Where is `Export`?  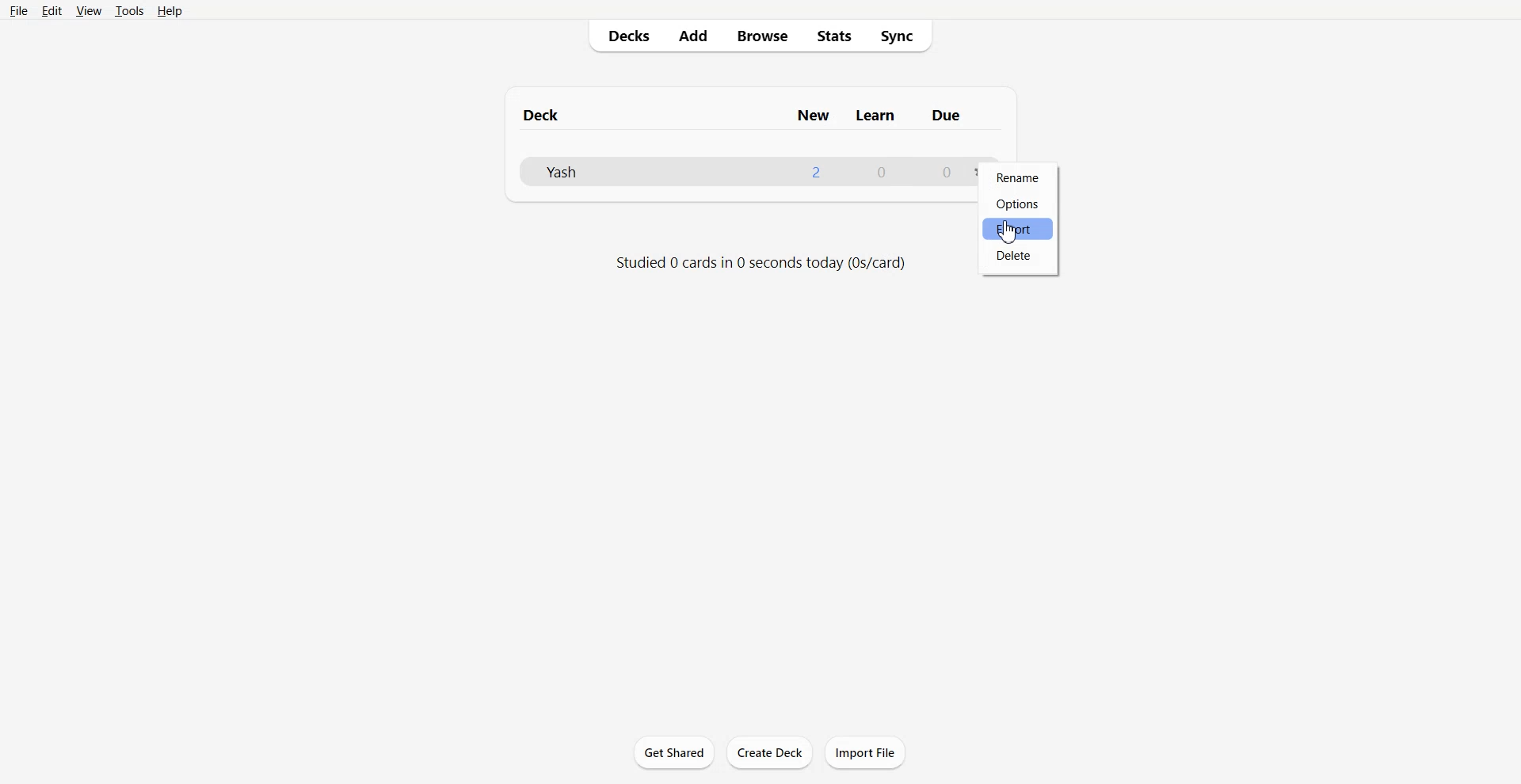
Export is located at coordinates (1018, 228).